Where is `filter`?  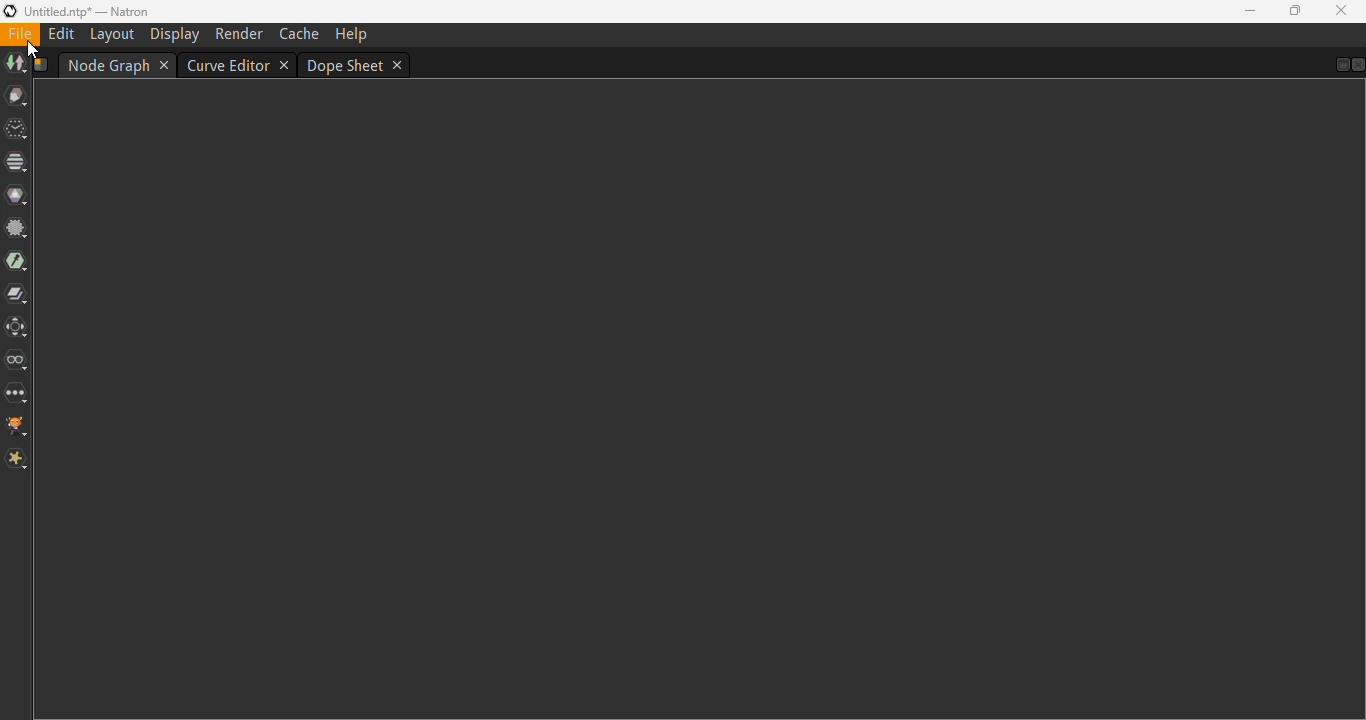 filter is located at coordinates (15, 229).